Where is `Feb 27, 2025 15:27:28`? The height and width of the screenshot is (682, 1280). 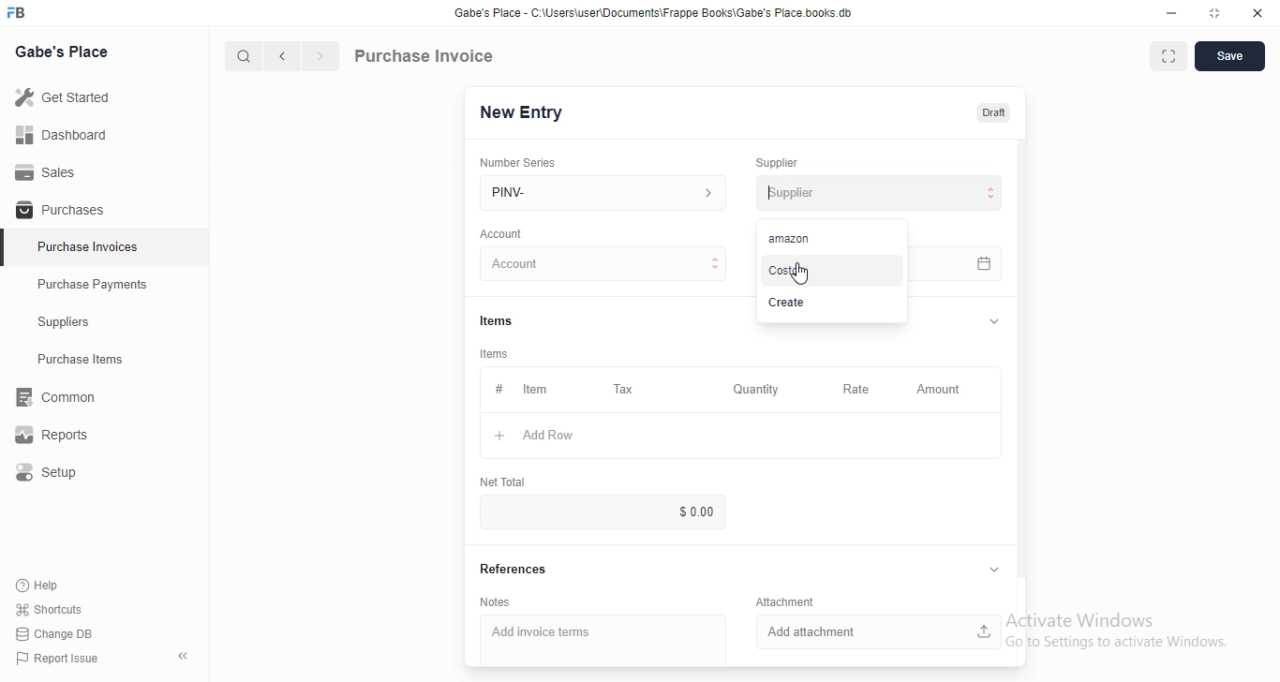 Feb 27, 2025 15:27:28 is located at coordinates (956, 263).